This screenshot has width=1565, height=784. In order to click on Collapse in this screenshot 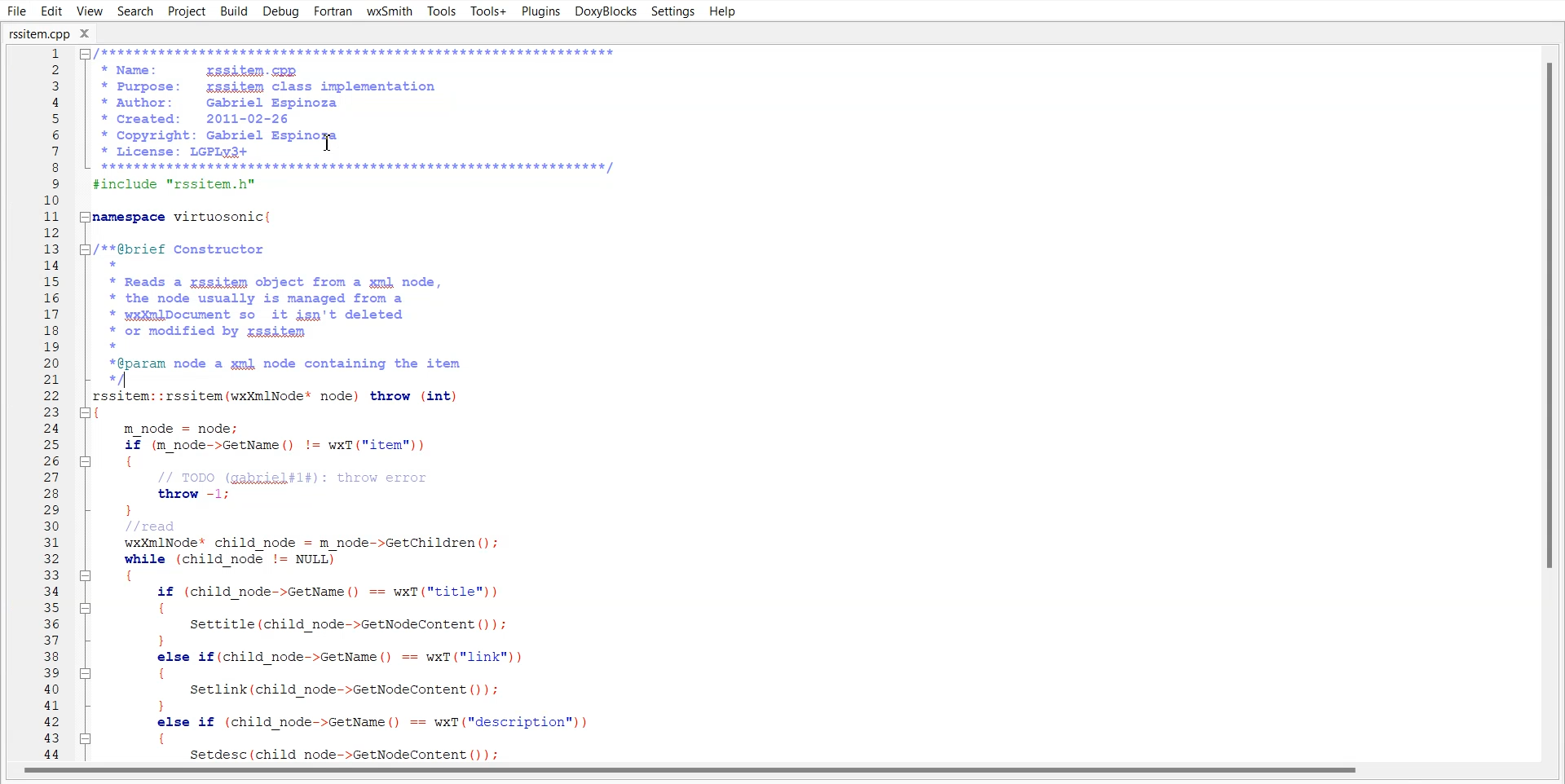, I will do `click(85, 738)`.